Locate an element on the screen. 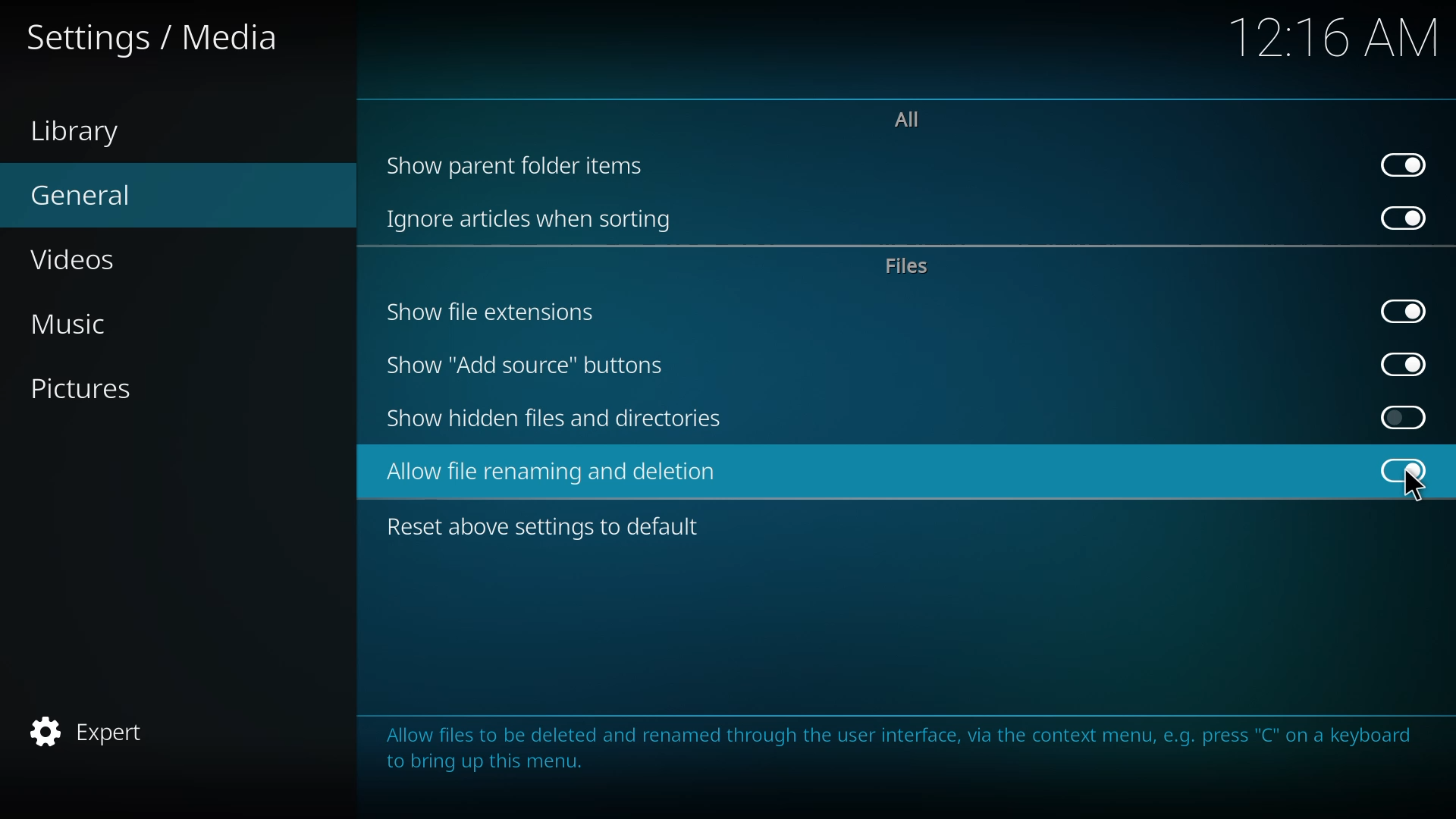 This screenshot has height=819, width=1456. videos is located at coordinates (89, 258).